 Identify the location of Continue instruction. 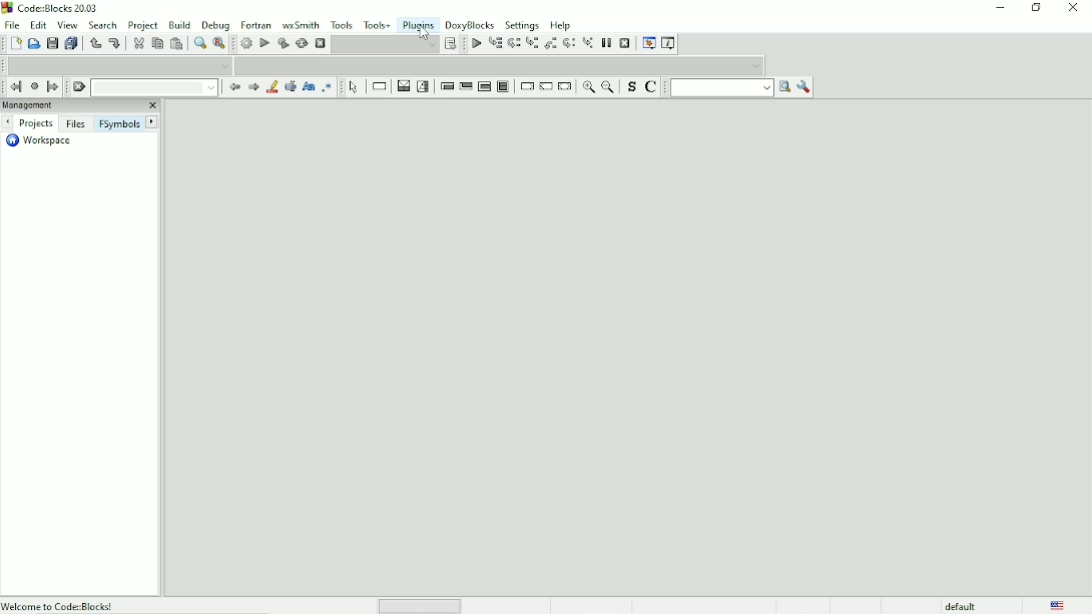
(546, 87).